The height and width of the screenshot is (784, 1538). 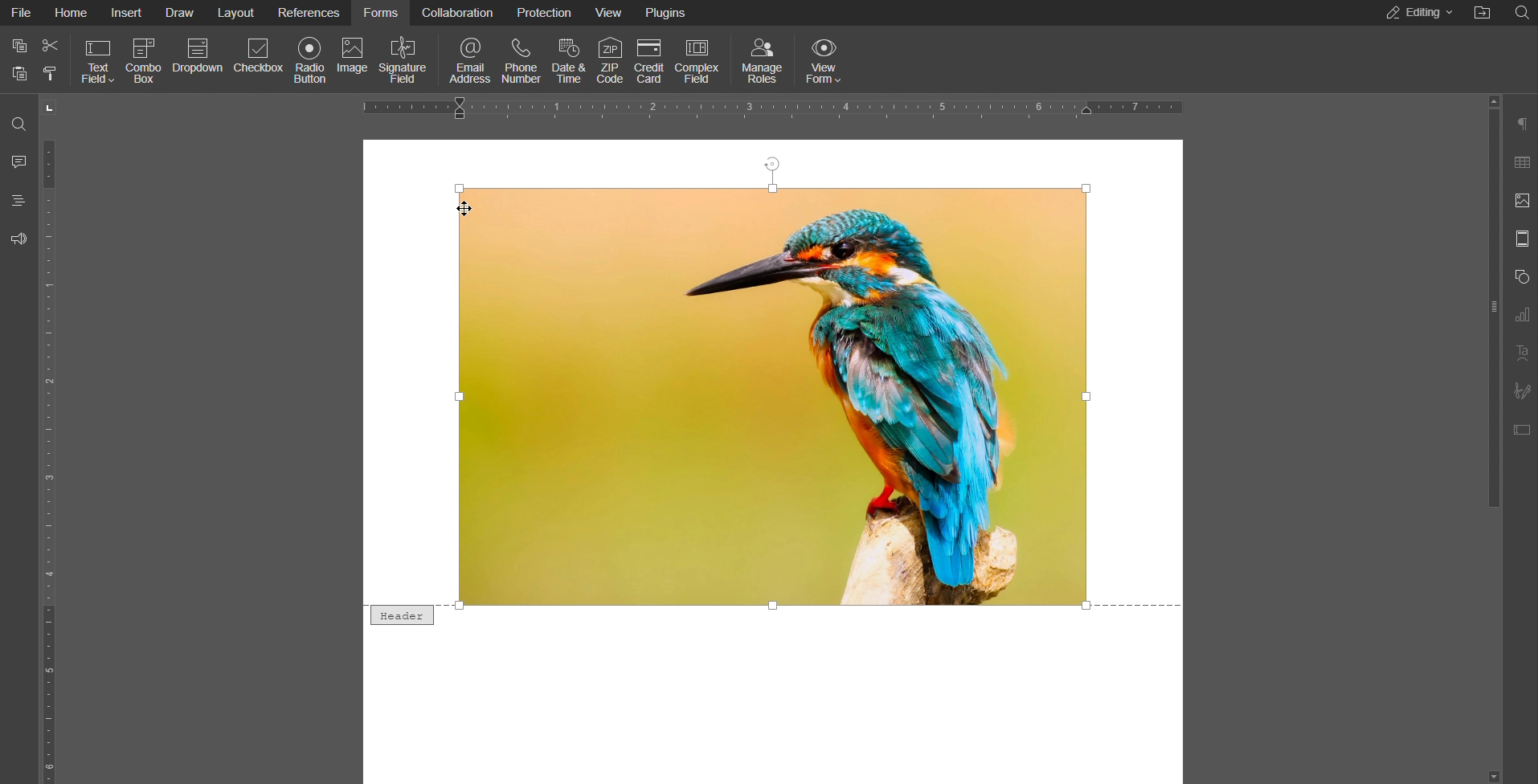 What do you see at coordinates (648, 58) in the screenshot?
I see `Credit Card` at bounding box center [648, 58].